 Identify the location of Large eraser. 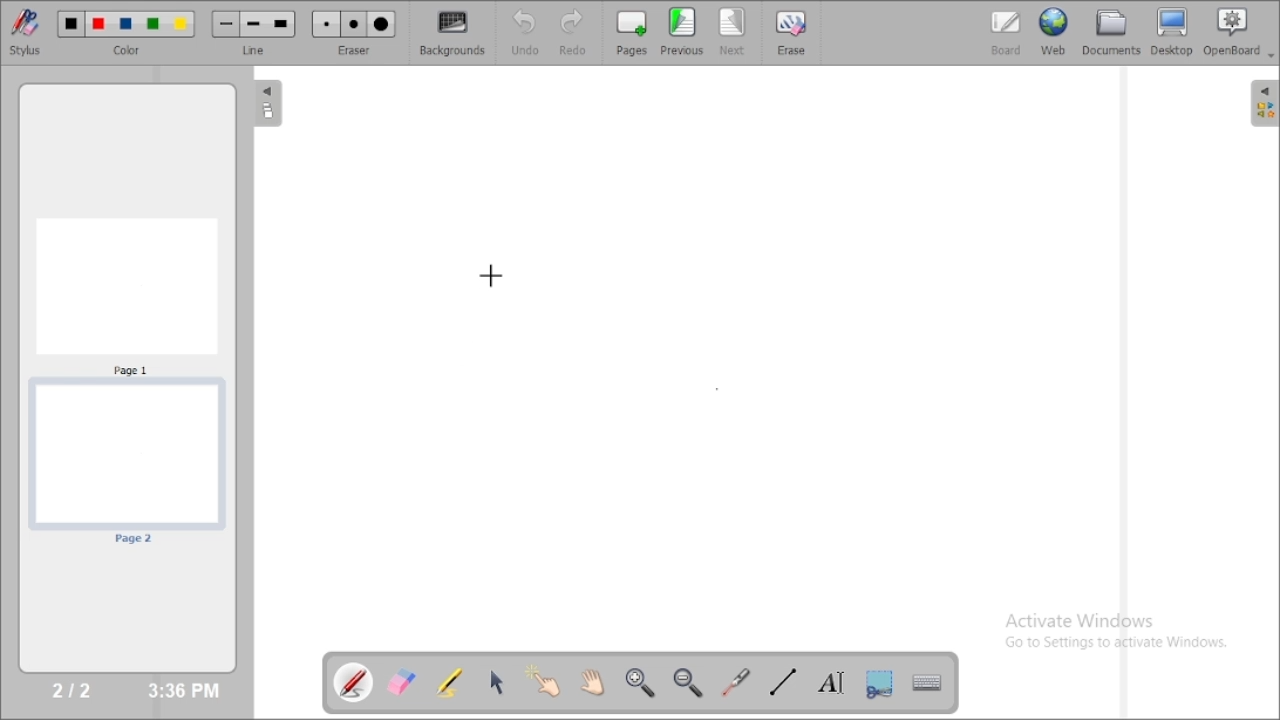
(382, 25).